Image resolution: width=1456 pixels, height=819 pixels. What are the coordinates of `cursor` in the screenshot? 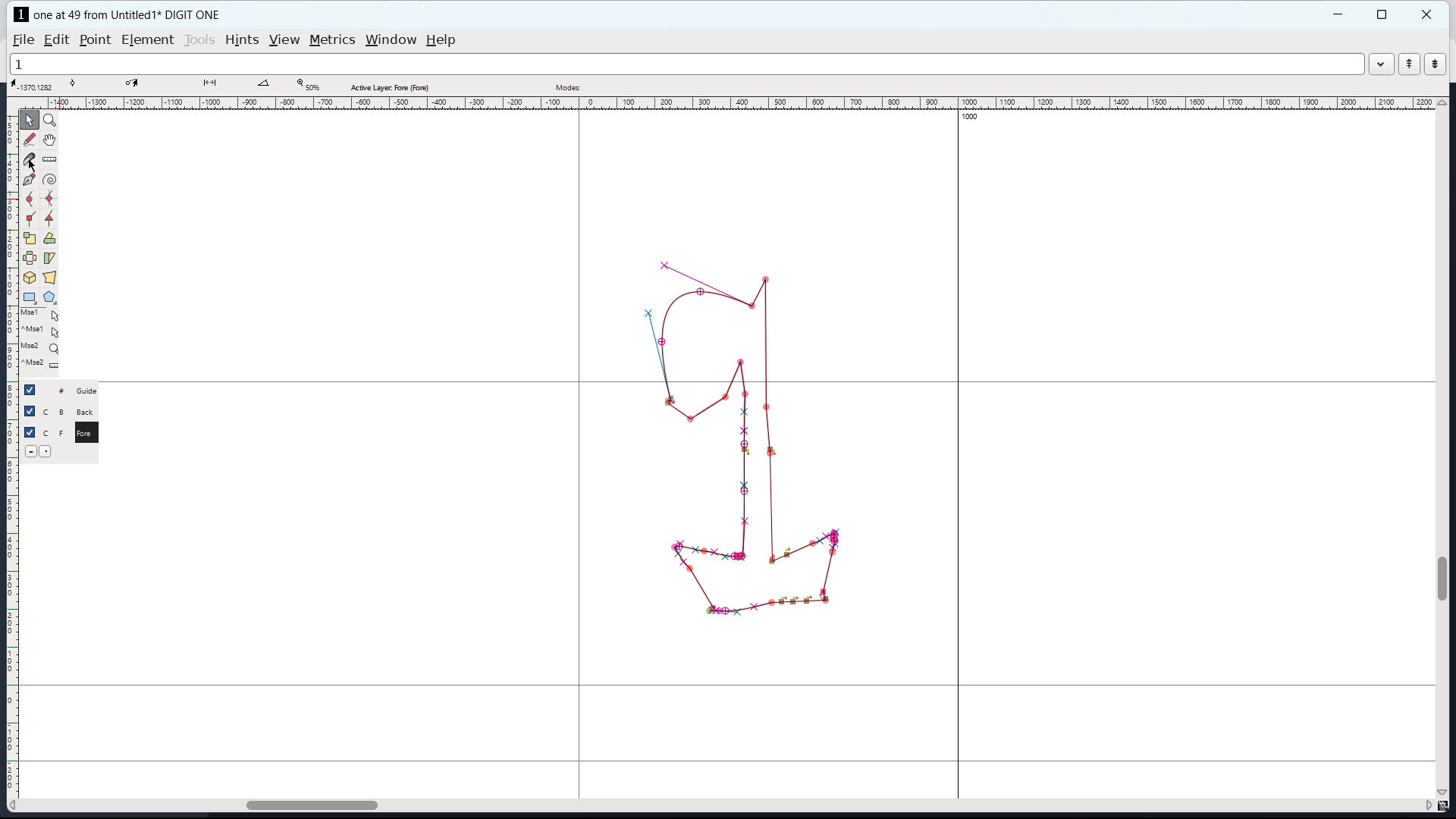 It's located at (27, 165).